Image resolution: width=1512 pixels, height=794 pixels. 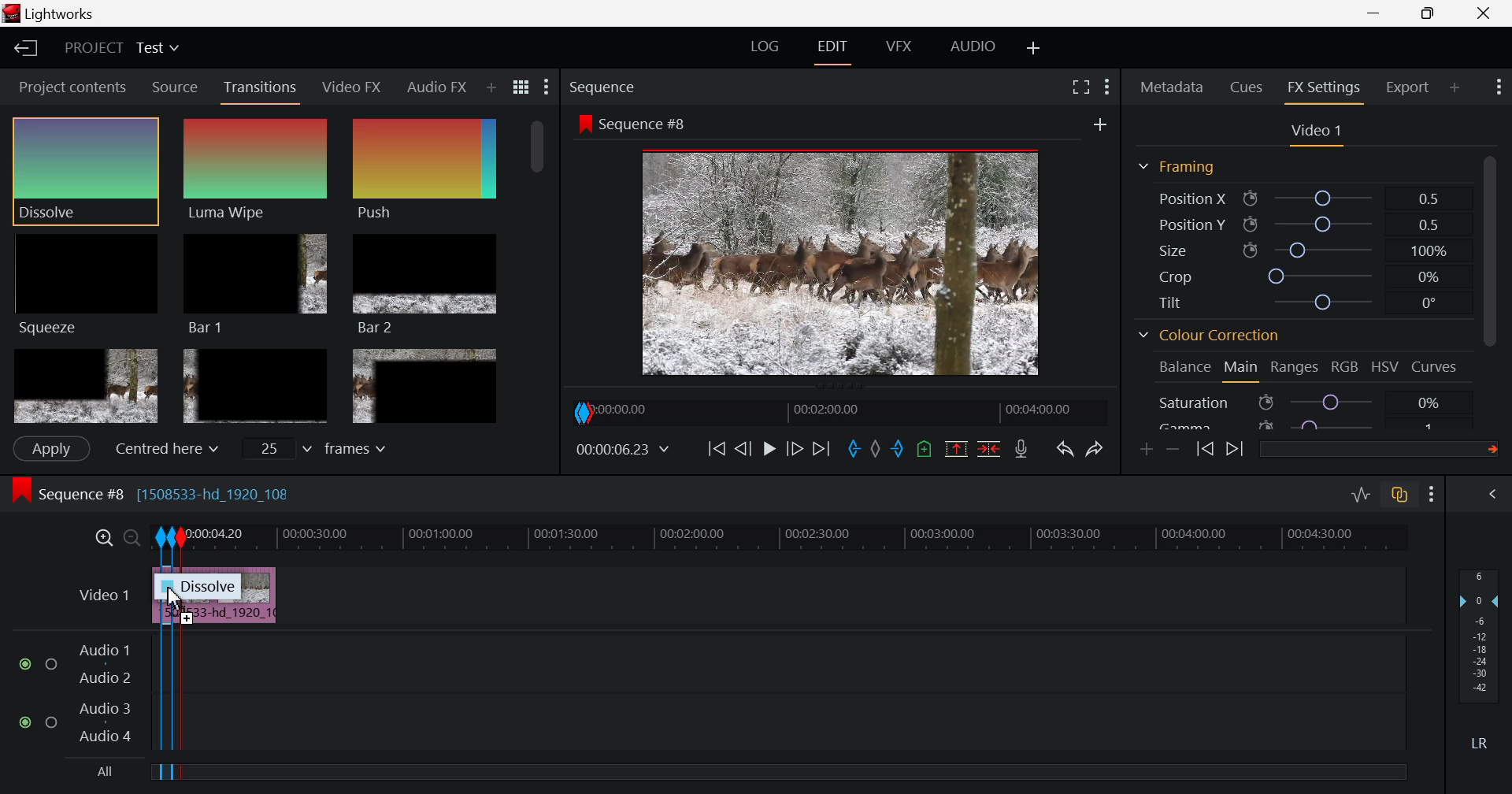 What do you see at coordinates (956, 447) in the screenshot?
I see `Remove the marked section` at bounding box center [956, 447].